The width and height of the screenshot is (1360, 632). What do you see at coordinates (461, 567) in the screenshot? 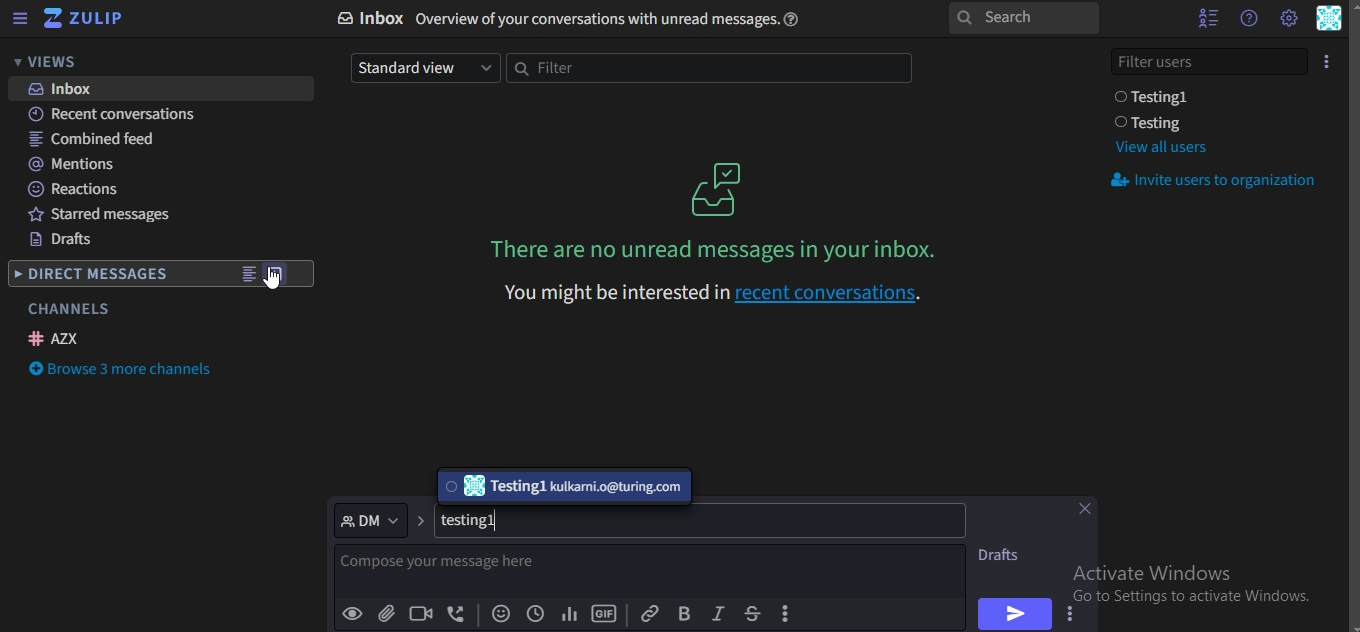
I see `compose your message here` at bounding box center [461, 567].